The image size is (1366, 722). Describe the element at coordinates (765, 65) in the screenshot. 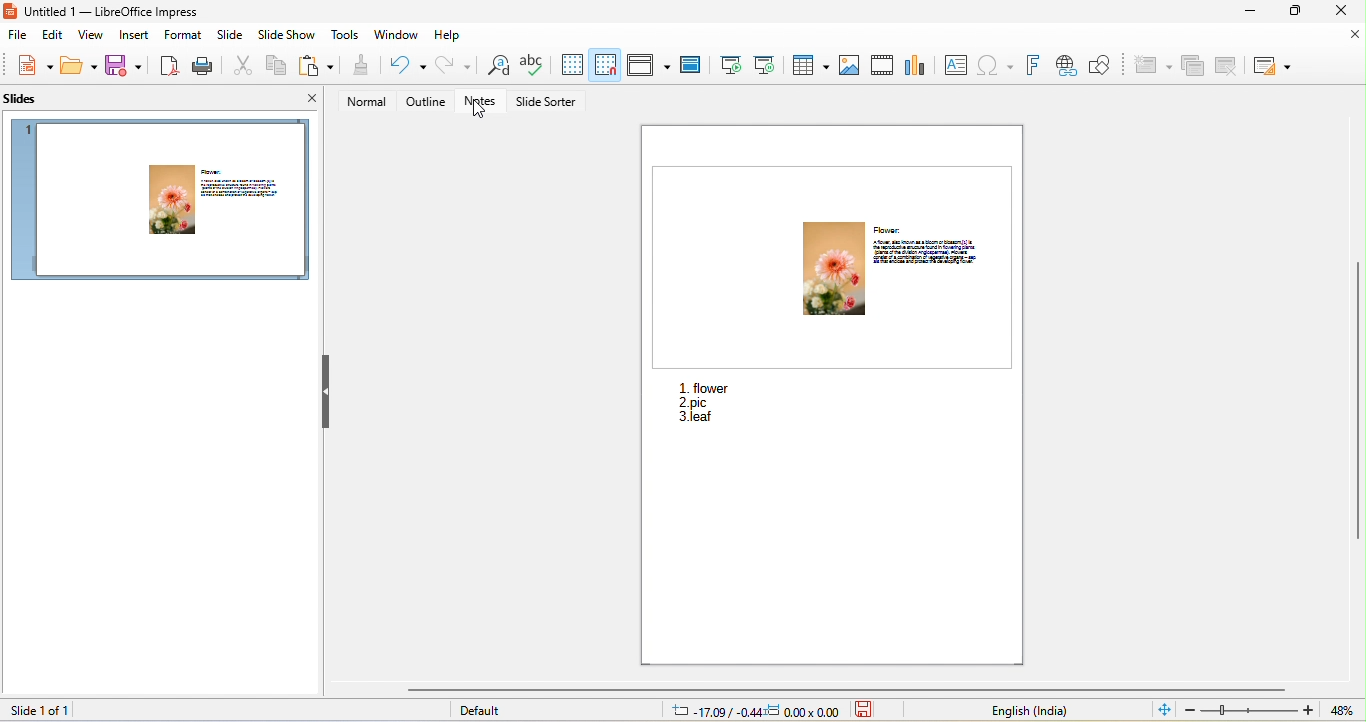

I see `start from current slide` at that location.